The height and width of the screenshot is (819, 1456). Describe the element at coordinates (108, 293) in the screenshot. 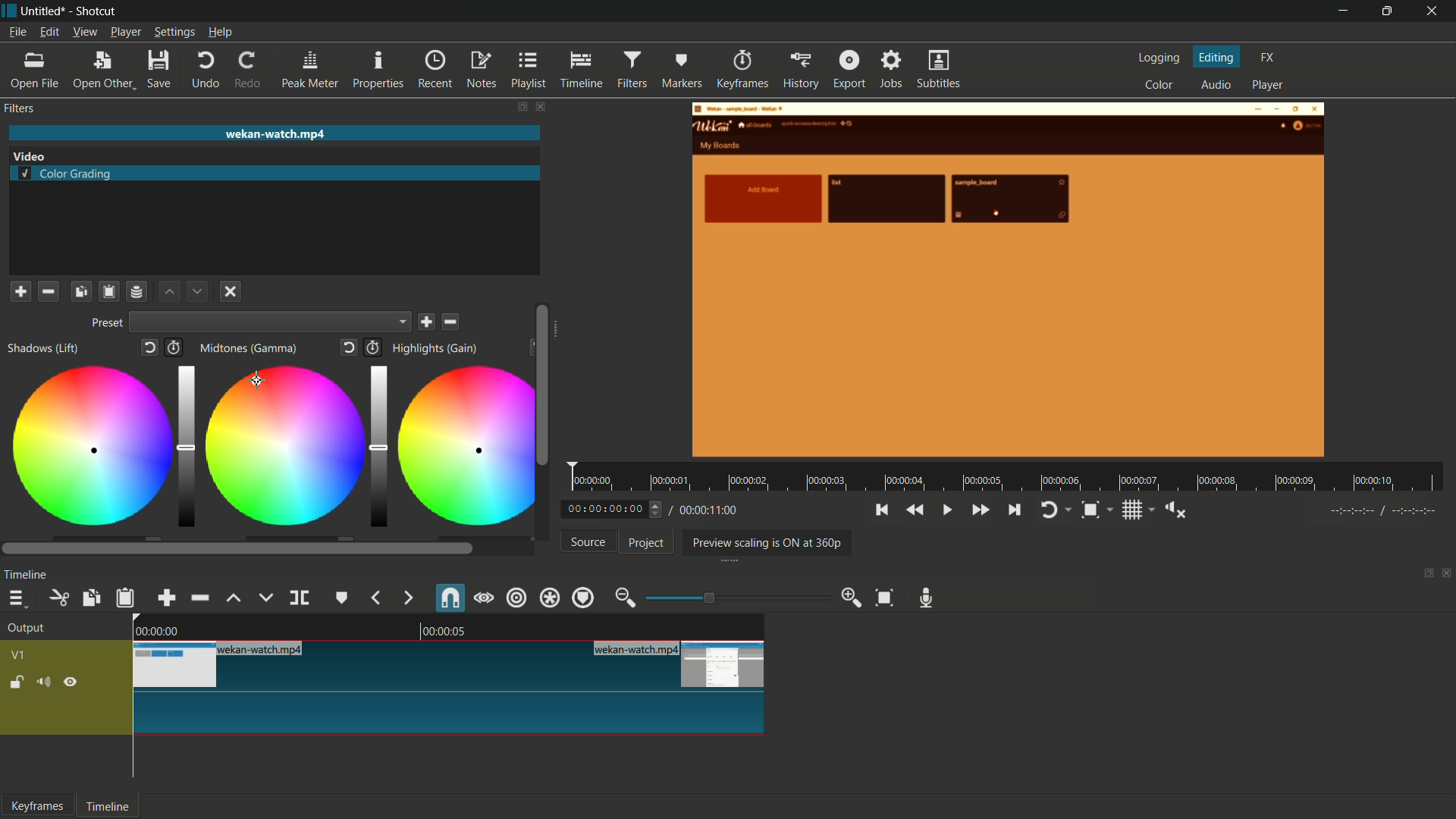

I see `paste filters` at that location.